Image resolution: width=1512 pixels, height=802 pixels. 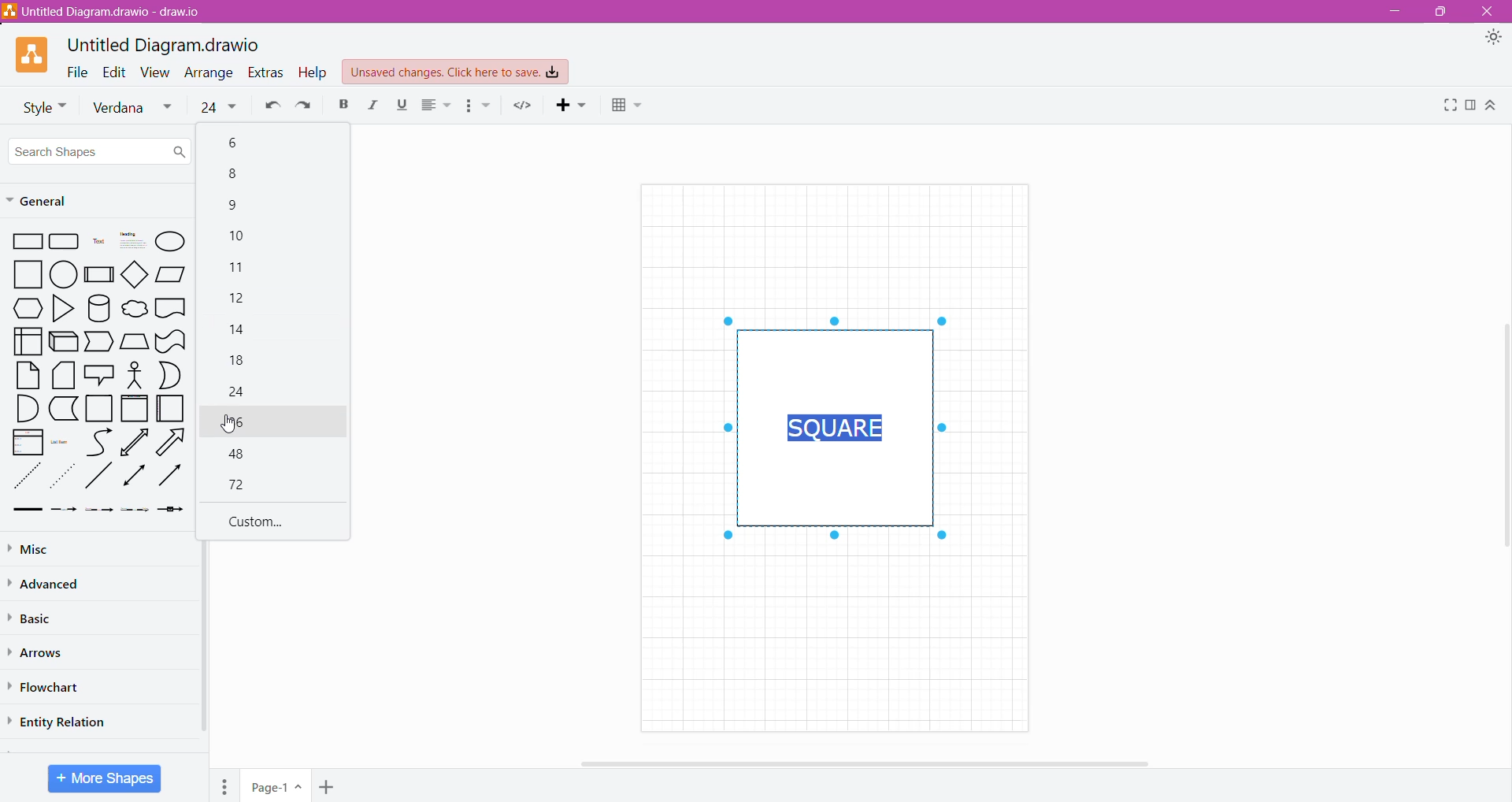 I want to click on Vertical Scroll Bar, so click(x=204, y=636).